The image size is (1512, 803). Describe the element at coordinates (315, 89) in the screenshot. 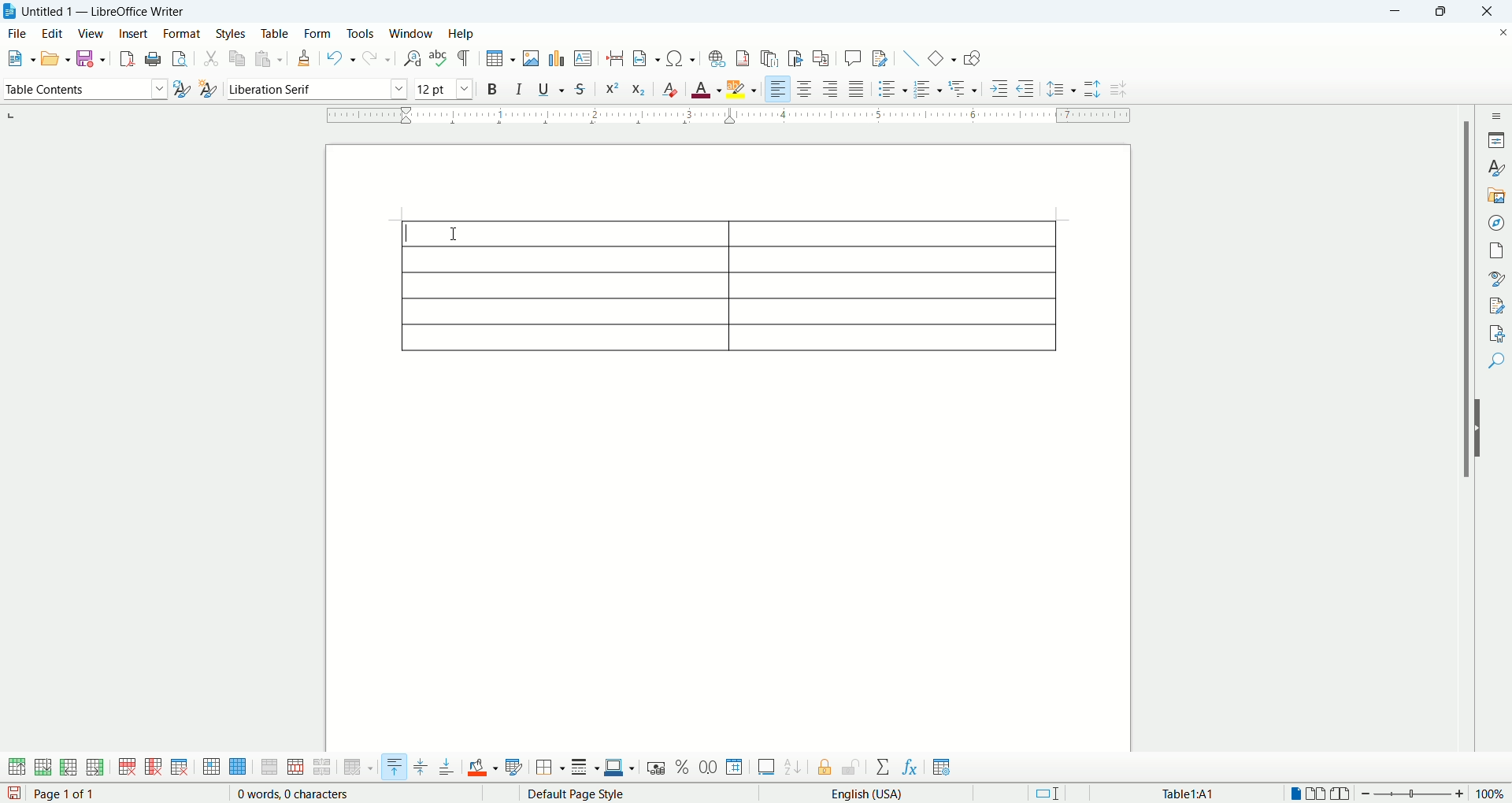

I see `font name` at that location.